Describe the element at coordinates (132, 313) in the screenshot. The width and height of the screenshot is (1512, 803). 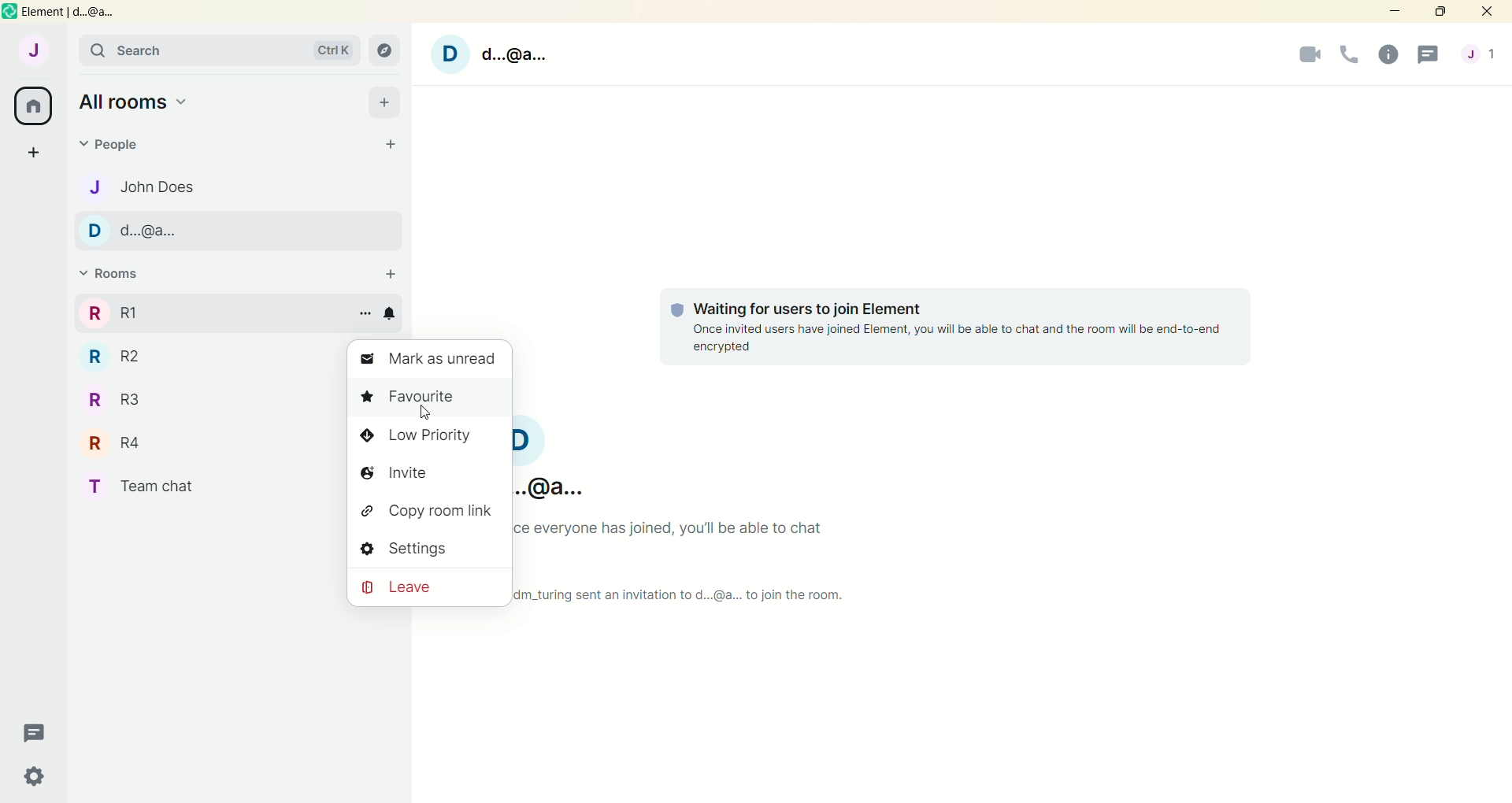
I see `R RI` at that location.